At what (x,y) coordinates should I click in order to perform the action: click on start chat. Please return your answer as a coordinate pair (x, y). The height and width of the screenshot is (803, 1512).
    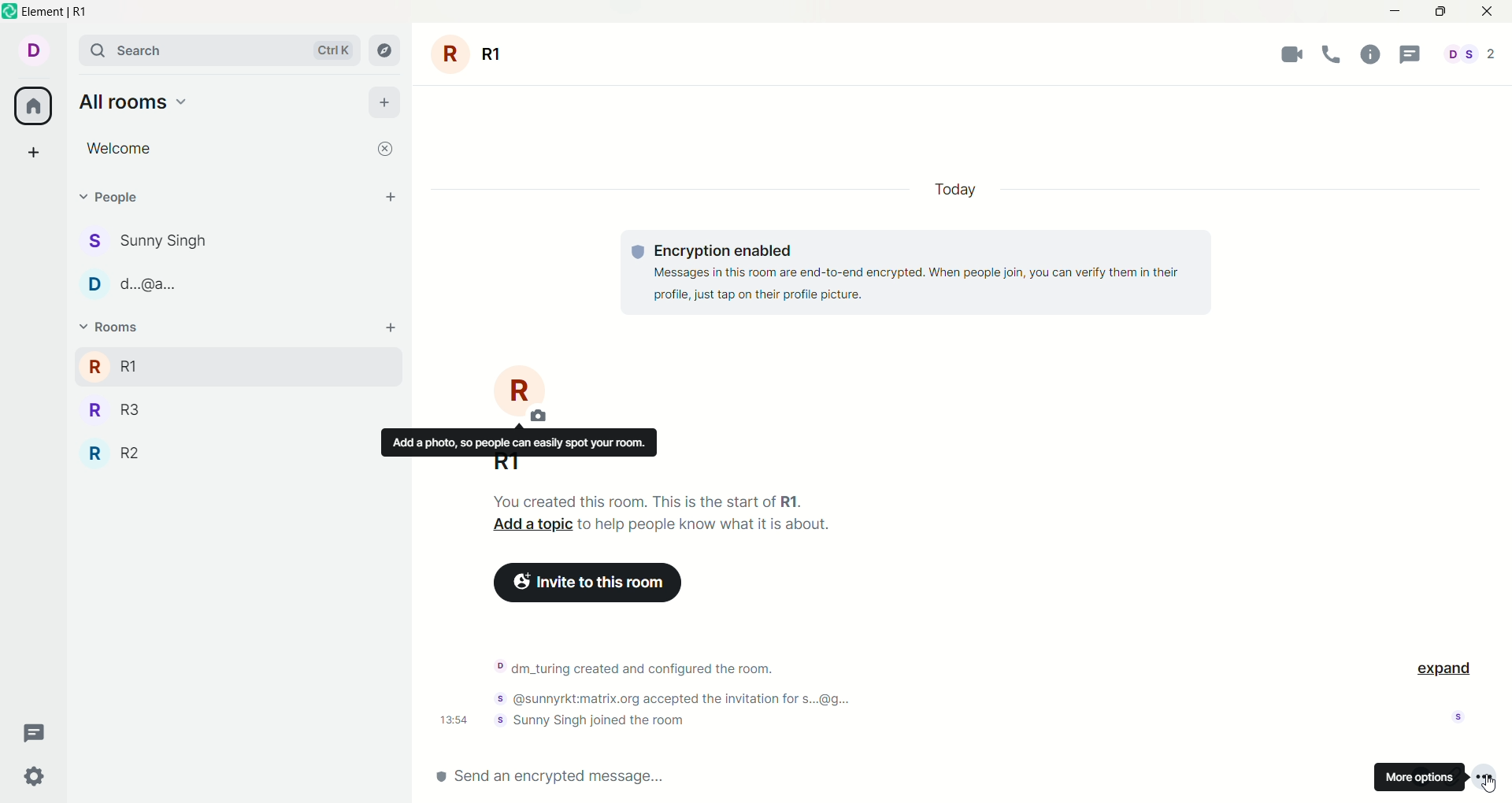
    Looking at the image, I should click on (391, 196).